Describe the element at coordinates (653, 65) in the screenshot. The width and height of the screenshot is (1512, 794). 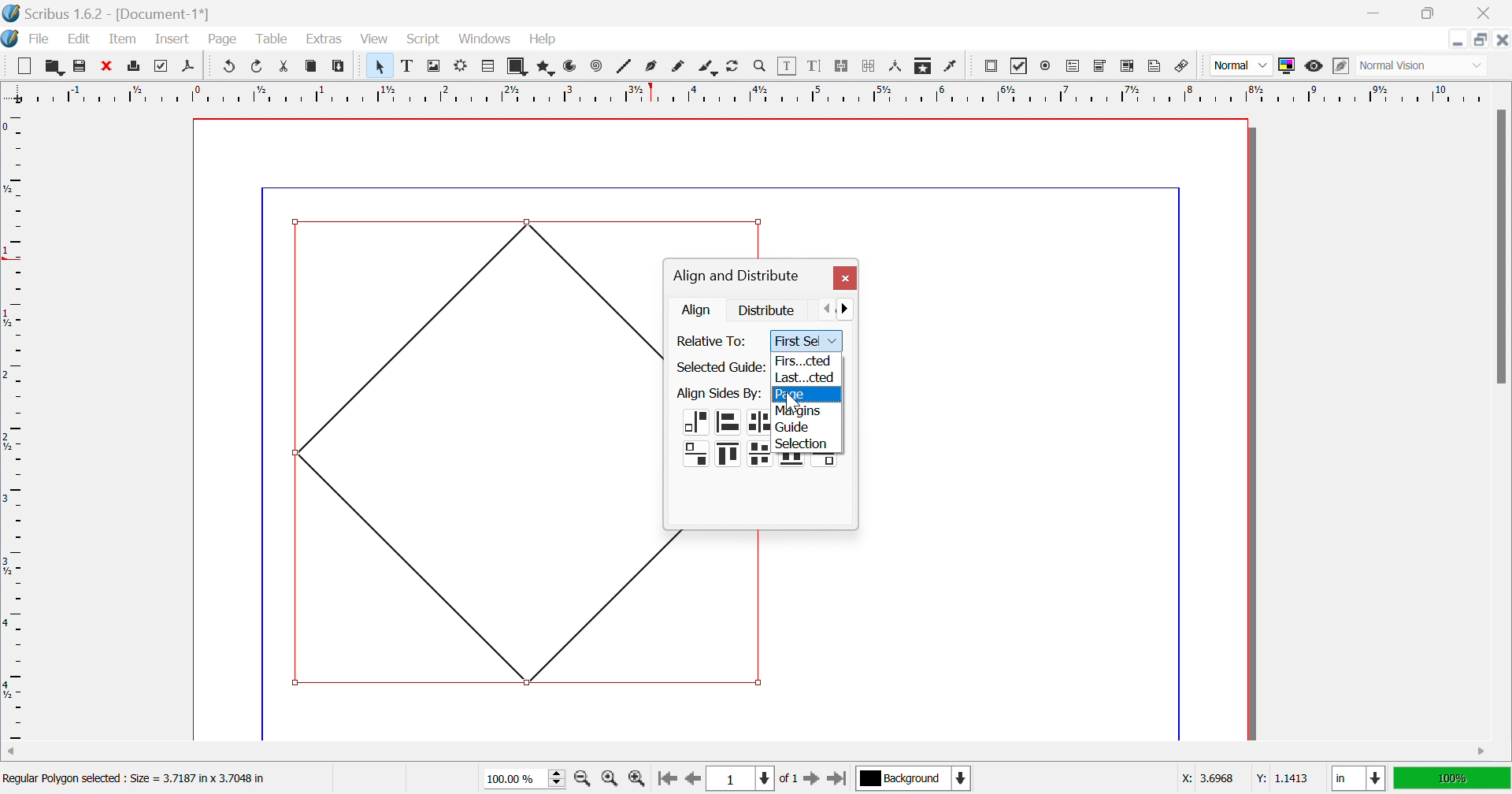
I see `Bezler curve` at that location.